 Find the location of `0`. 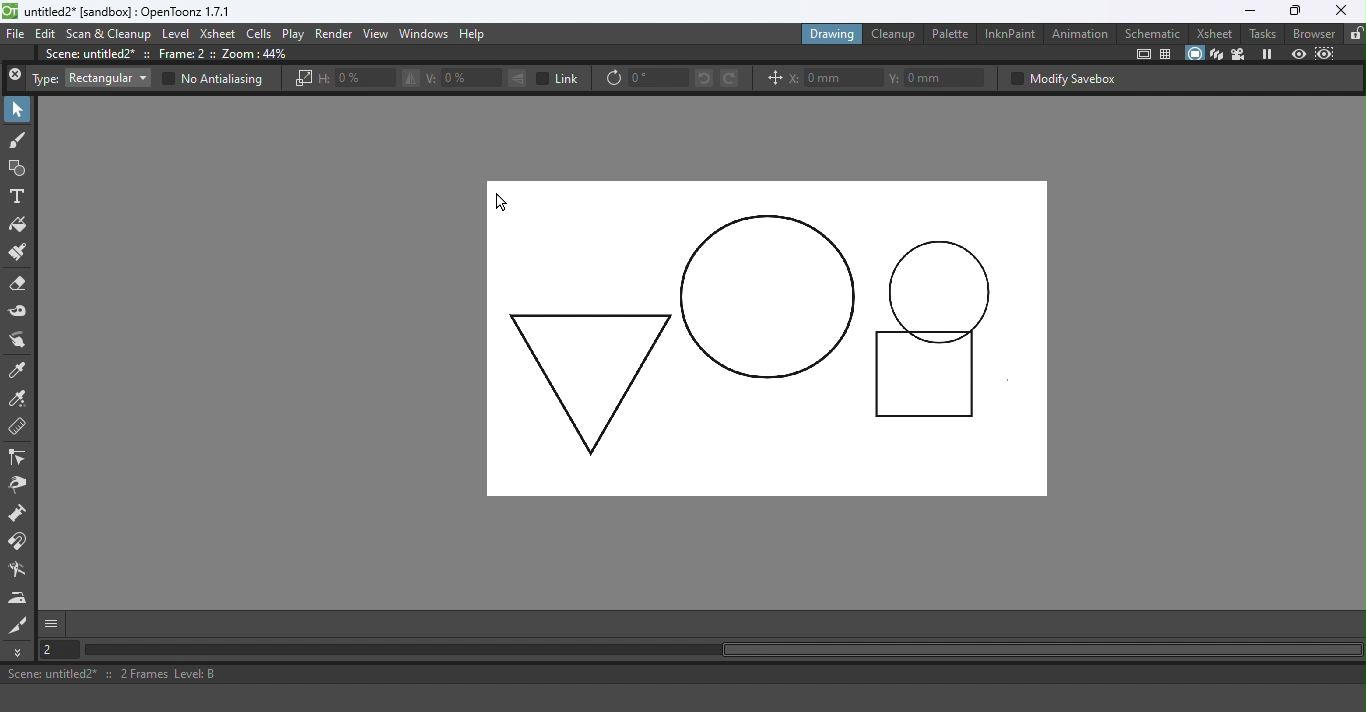

0 is located at coordinates (657, 77).